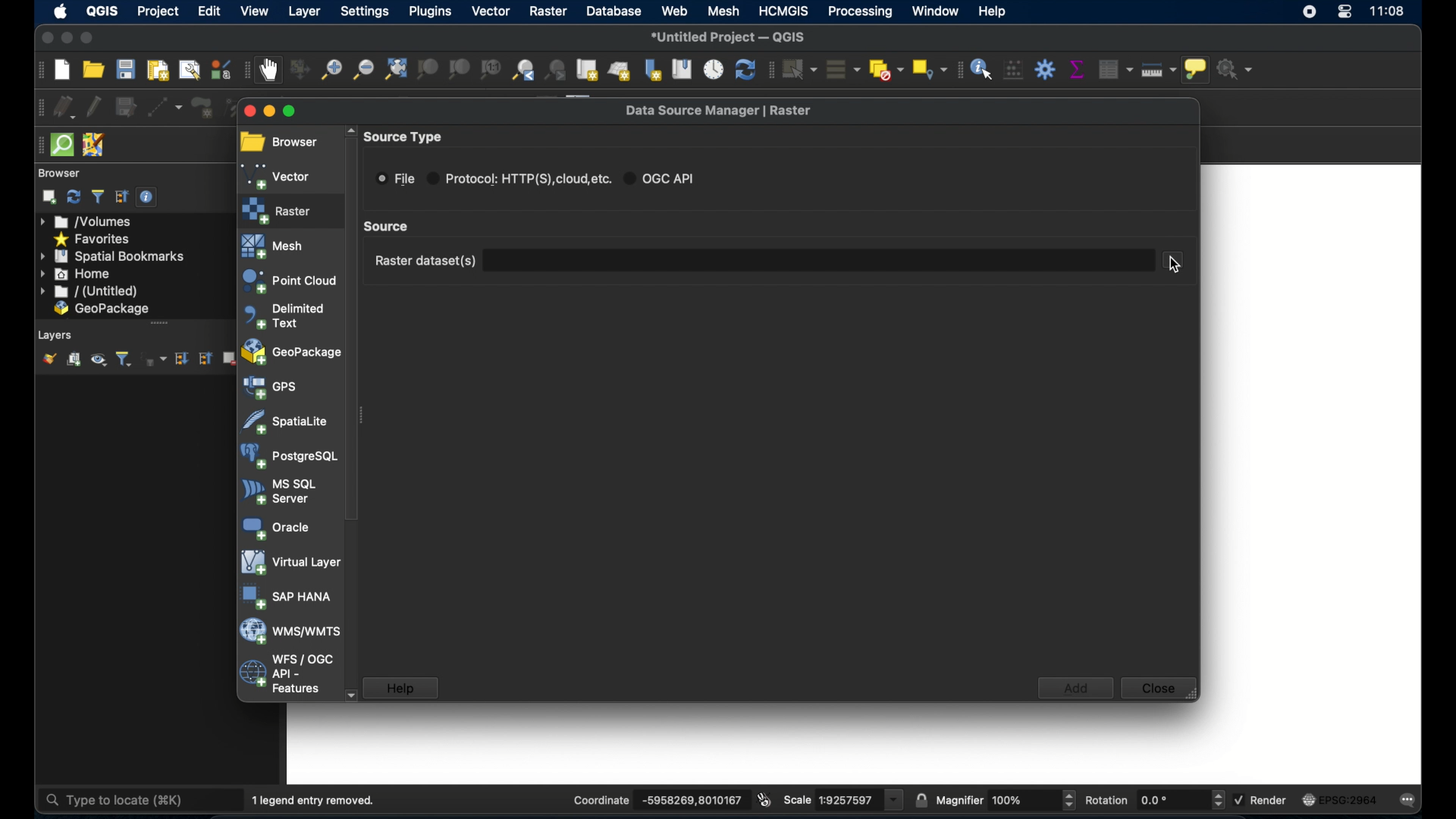  Describe the element at coordinates (101, 309) in the screenshot. I see `geo package` at that location.